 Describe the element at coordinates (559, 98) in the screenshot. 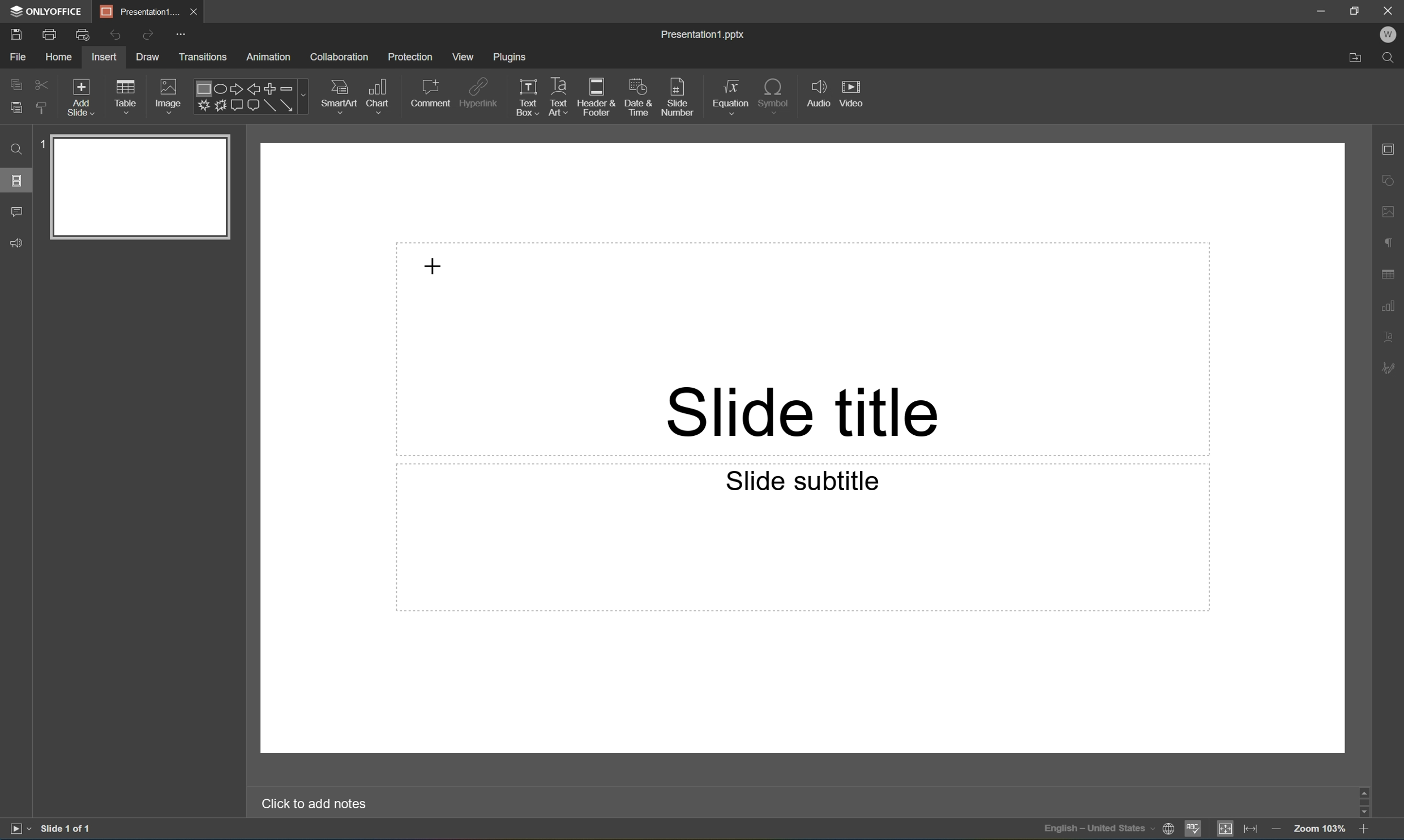

I see `Text Art` at that location.